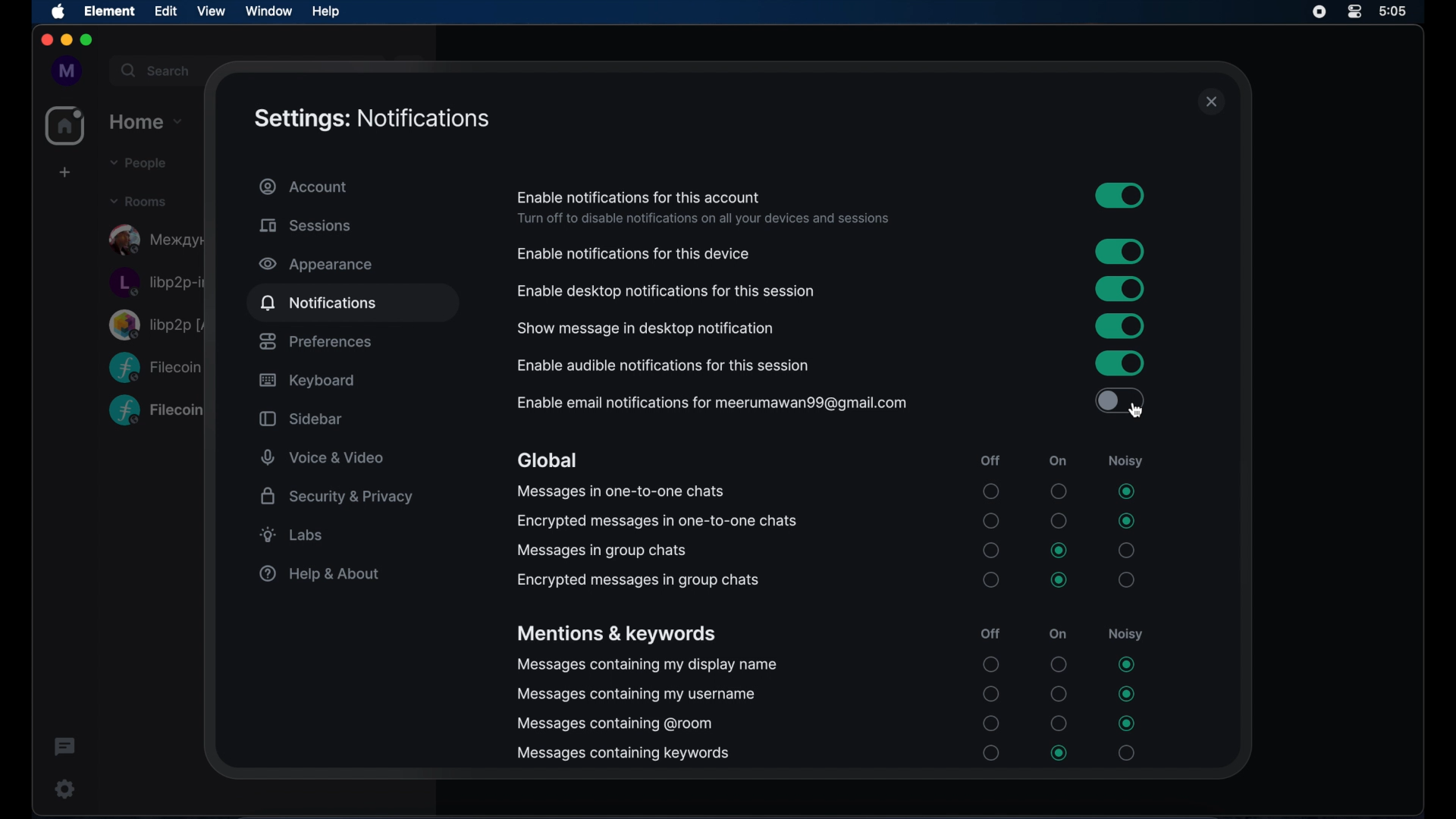 The width and height of the screenshot is (1456, 819). Describe the element at coordinates (1119, 325) in the screenshot. I see `toggle  button` at that location.